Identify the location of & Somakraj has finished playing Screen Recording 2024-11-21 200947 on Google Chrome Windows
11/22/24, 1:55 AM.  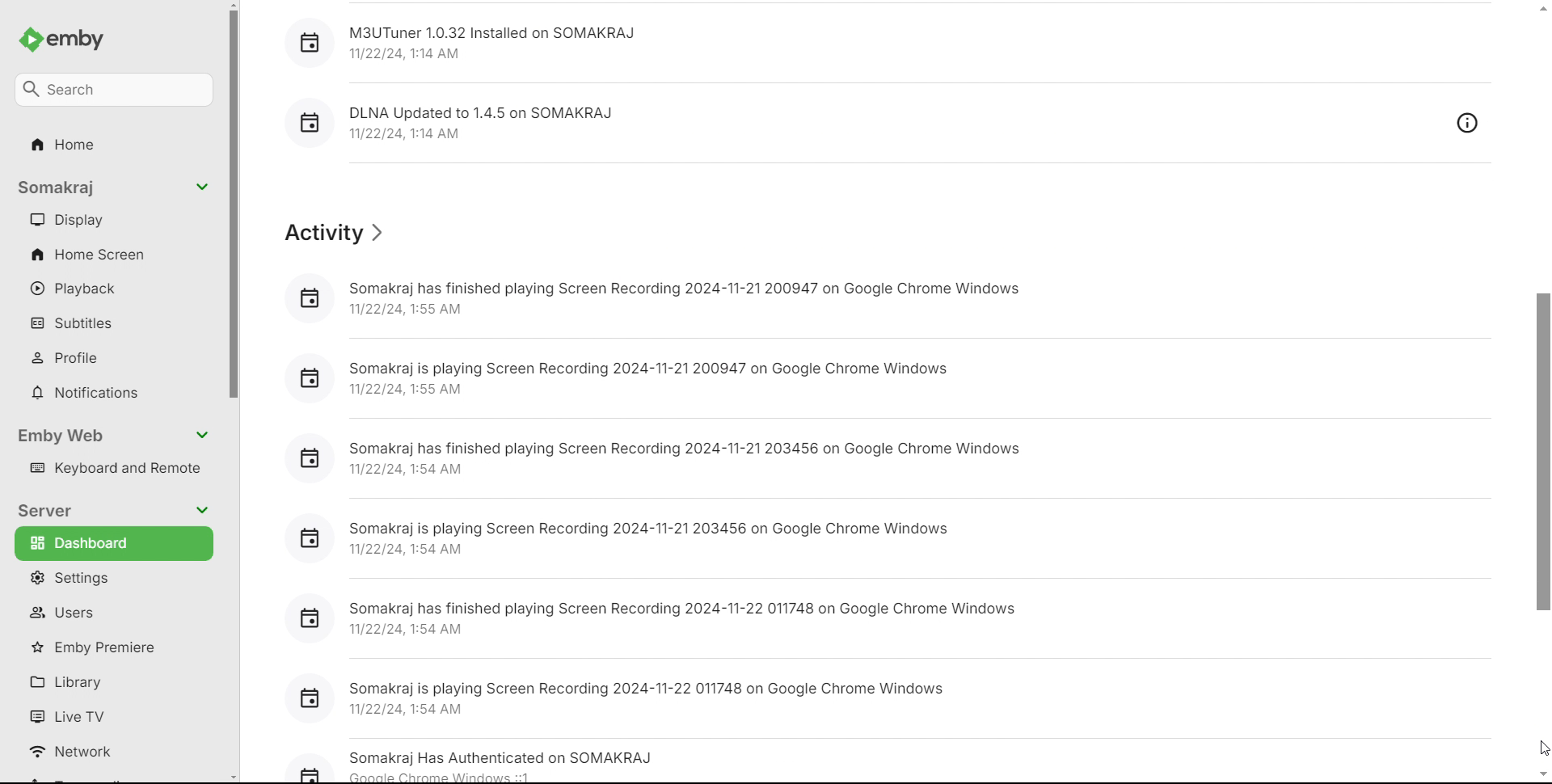
(665, 297).